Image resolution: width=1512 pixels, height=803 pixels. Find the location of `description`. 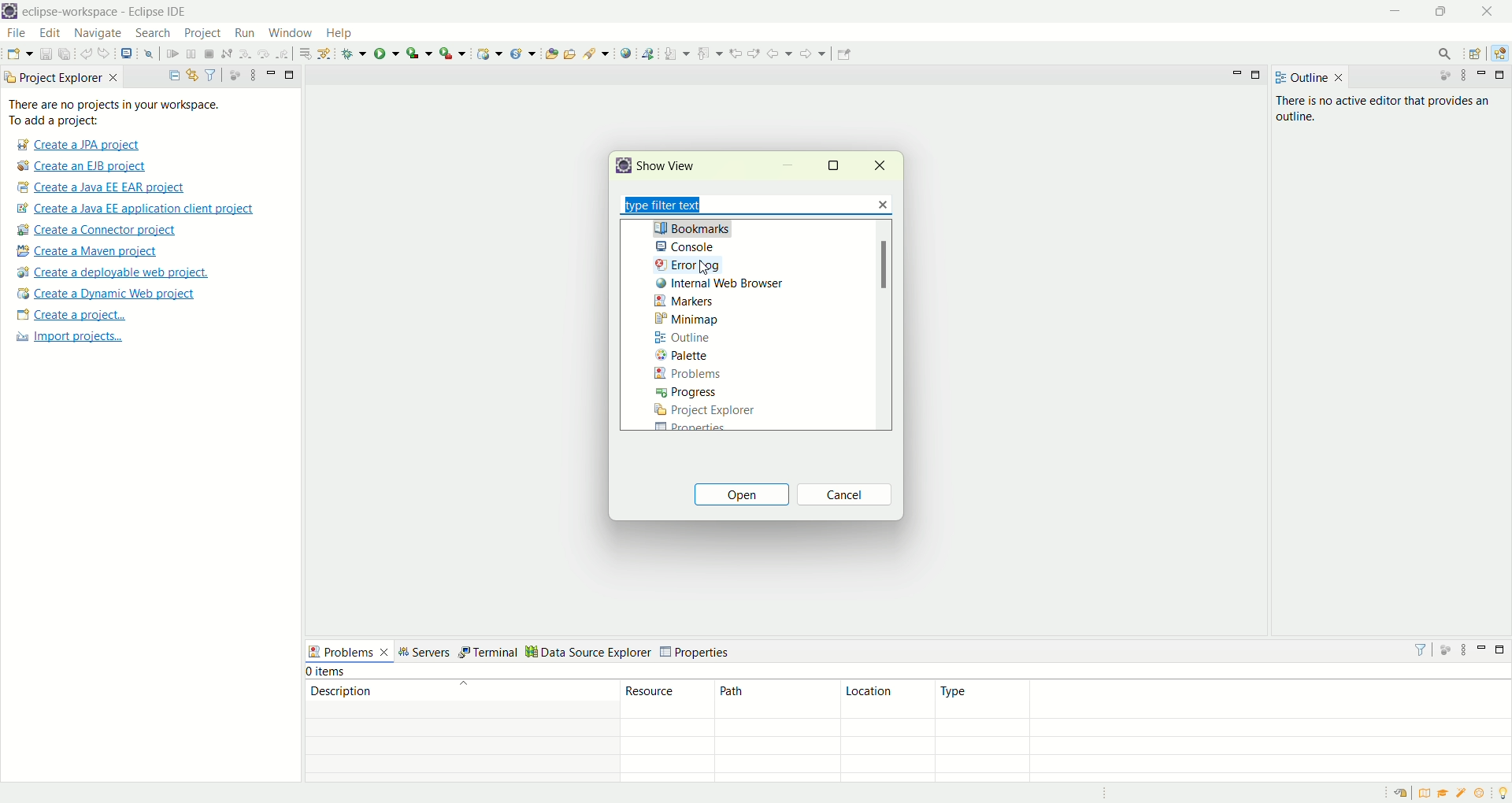

description is located at coordinates (459, 690).